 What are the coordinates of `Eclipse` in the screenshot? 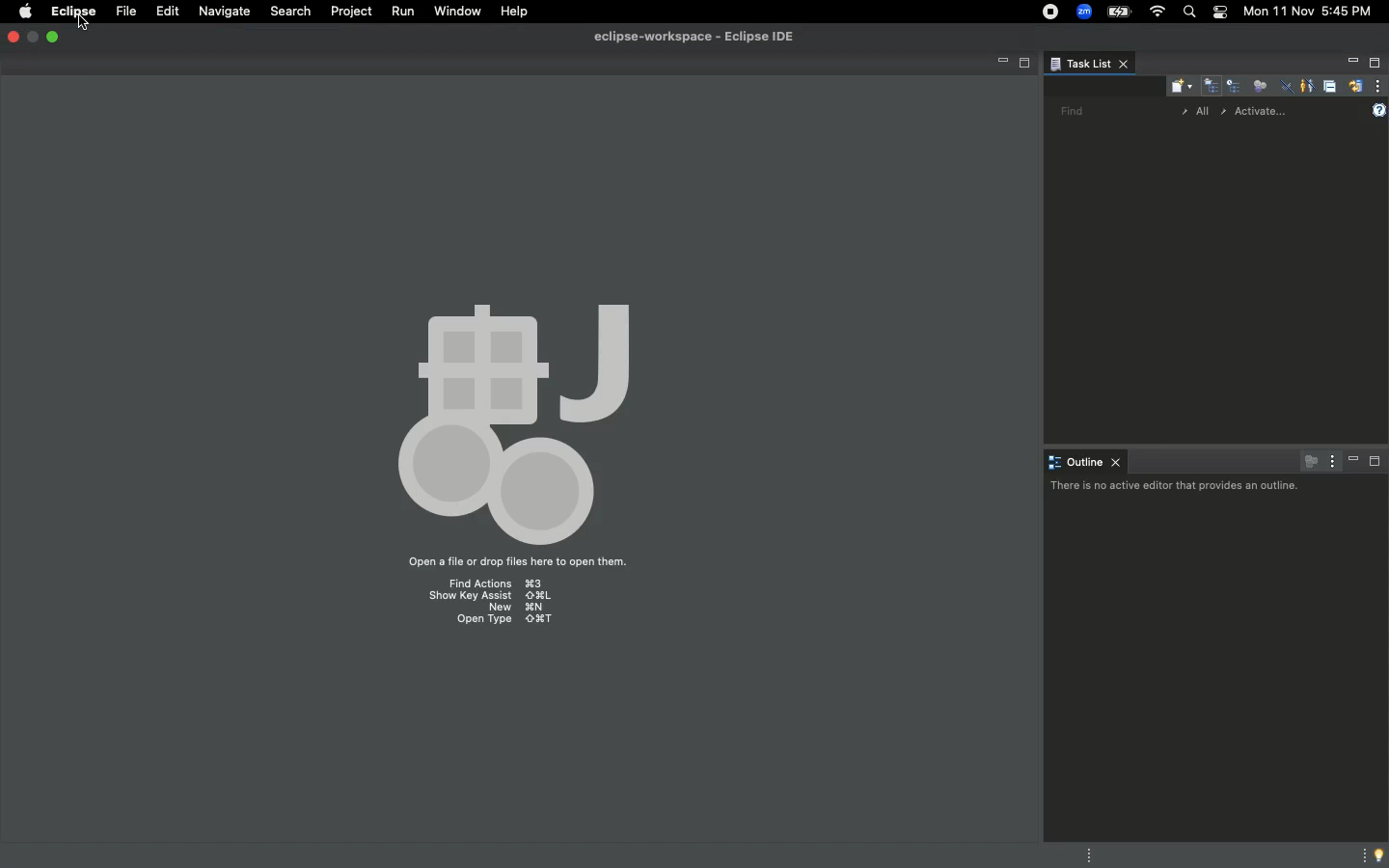 It's located at (71, 11).